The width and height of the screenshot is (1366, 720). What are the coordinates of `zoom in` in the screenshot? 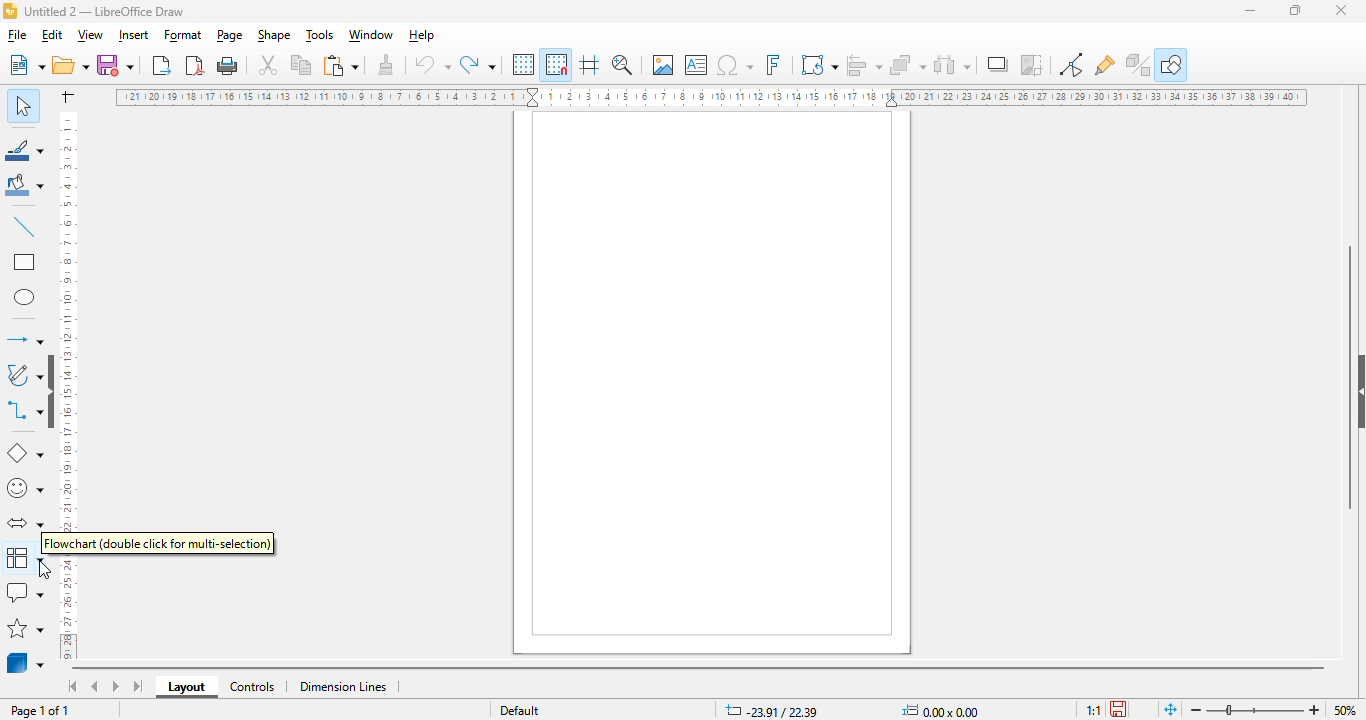 It's located at (1314, 709).